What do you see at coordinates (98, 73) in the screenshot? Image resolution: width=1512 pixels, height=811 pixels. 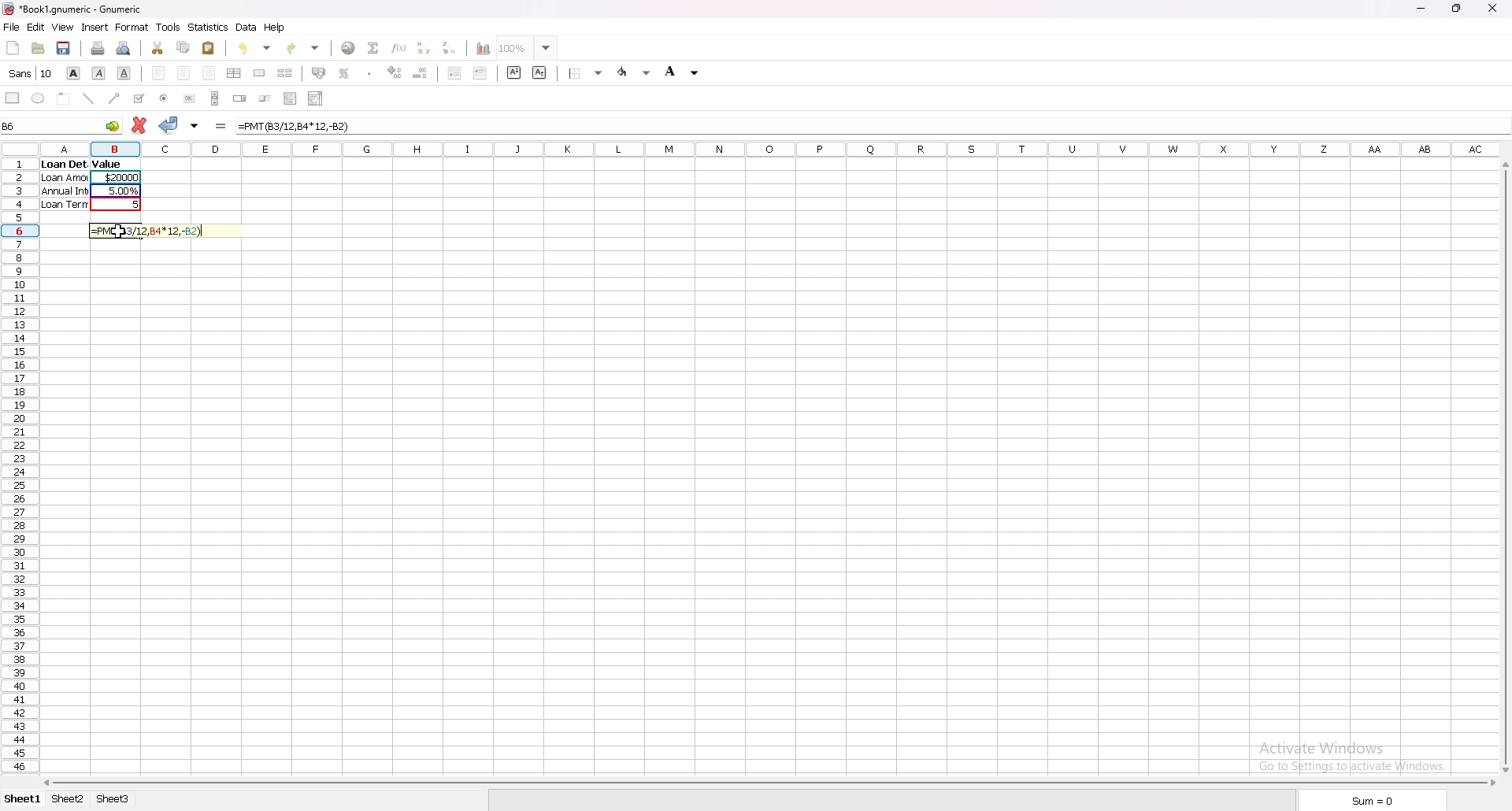 I see `italic` at bounding box center [98, 73].